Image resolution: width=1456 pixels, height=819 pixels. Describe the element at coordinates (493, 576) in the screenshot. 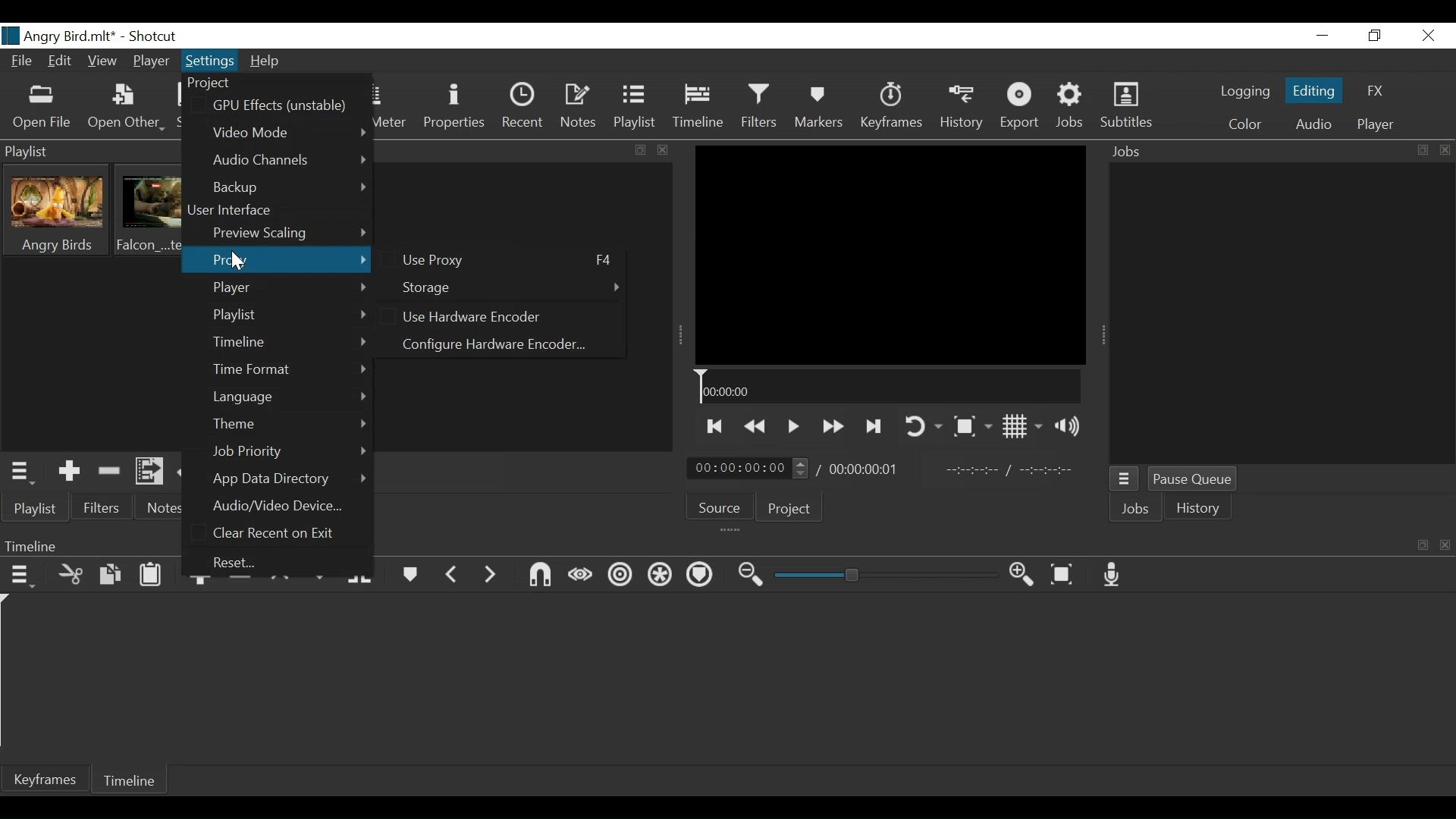

I see `Next Marker` at that location.